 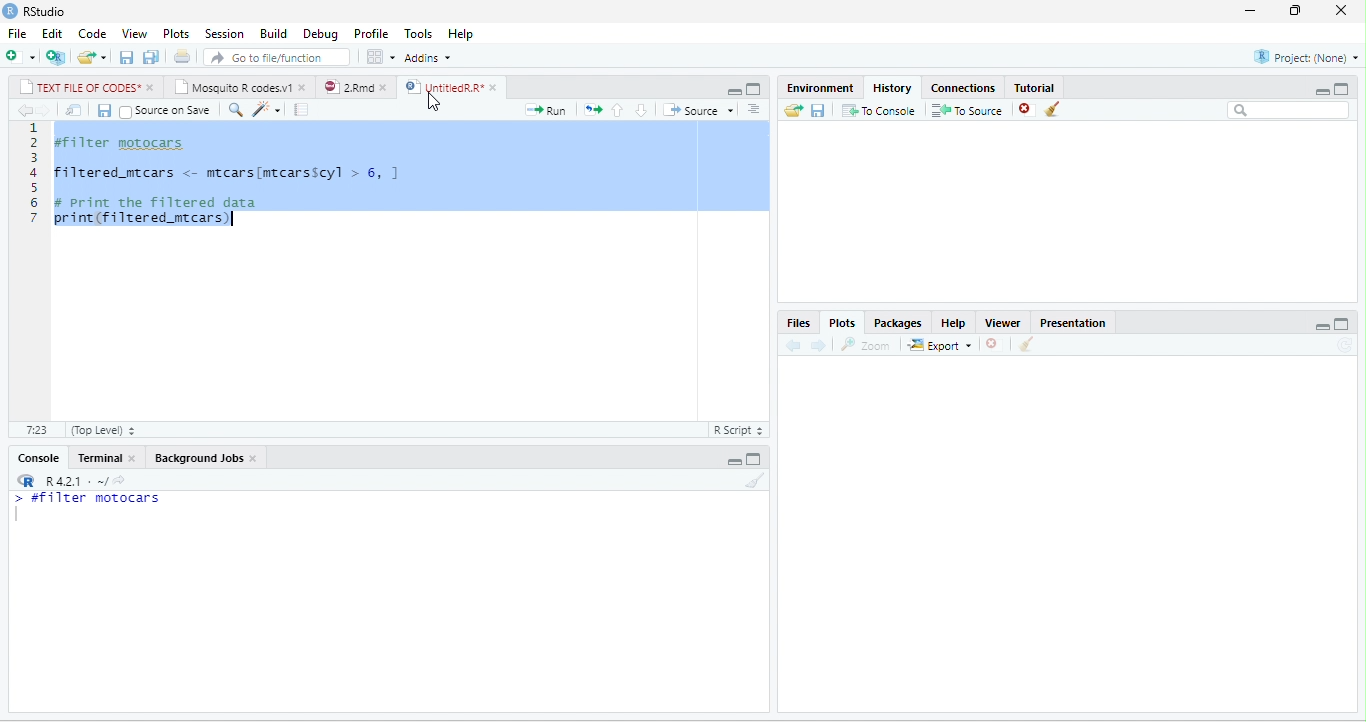 I want to click on Debug, so click(x=320, y=35).